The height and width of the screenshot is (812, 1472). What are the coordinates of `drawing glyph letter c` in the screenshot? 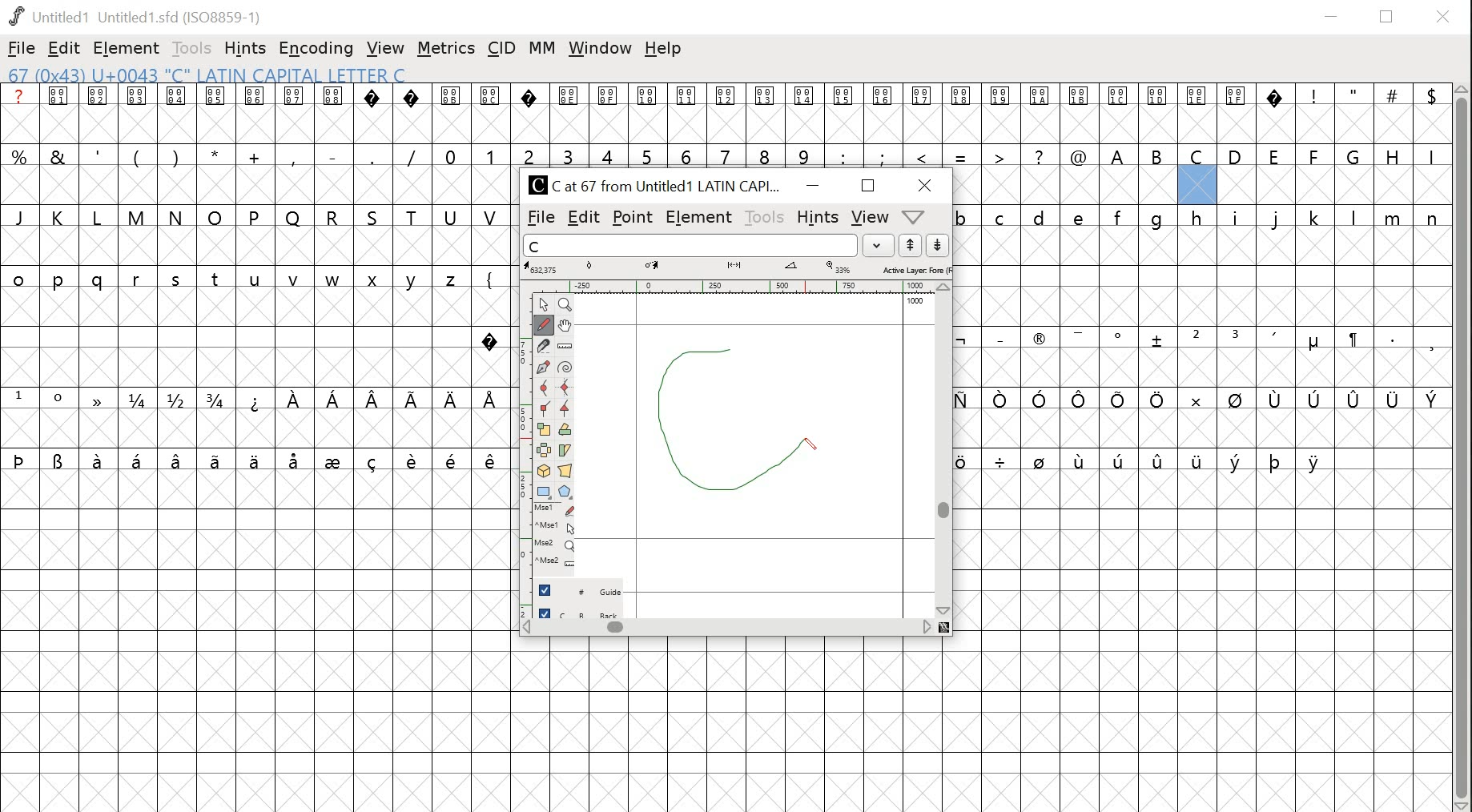 It's located at (746, 415).